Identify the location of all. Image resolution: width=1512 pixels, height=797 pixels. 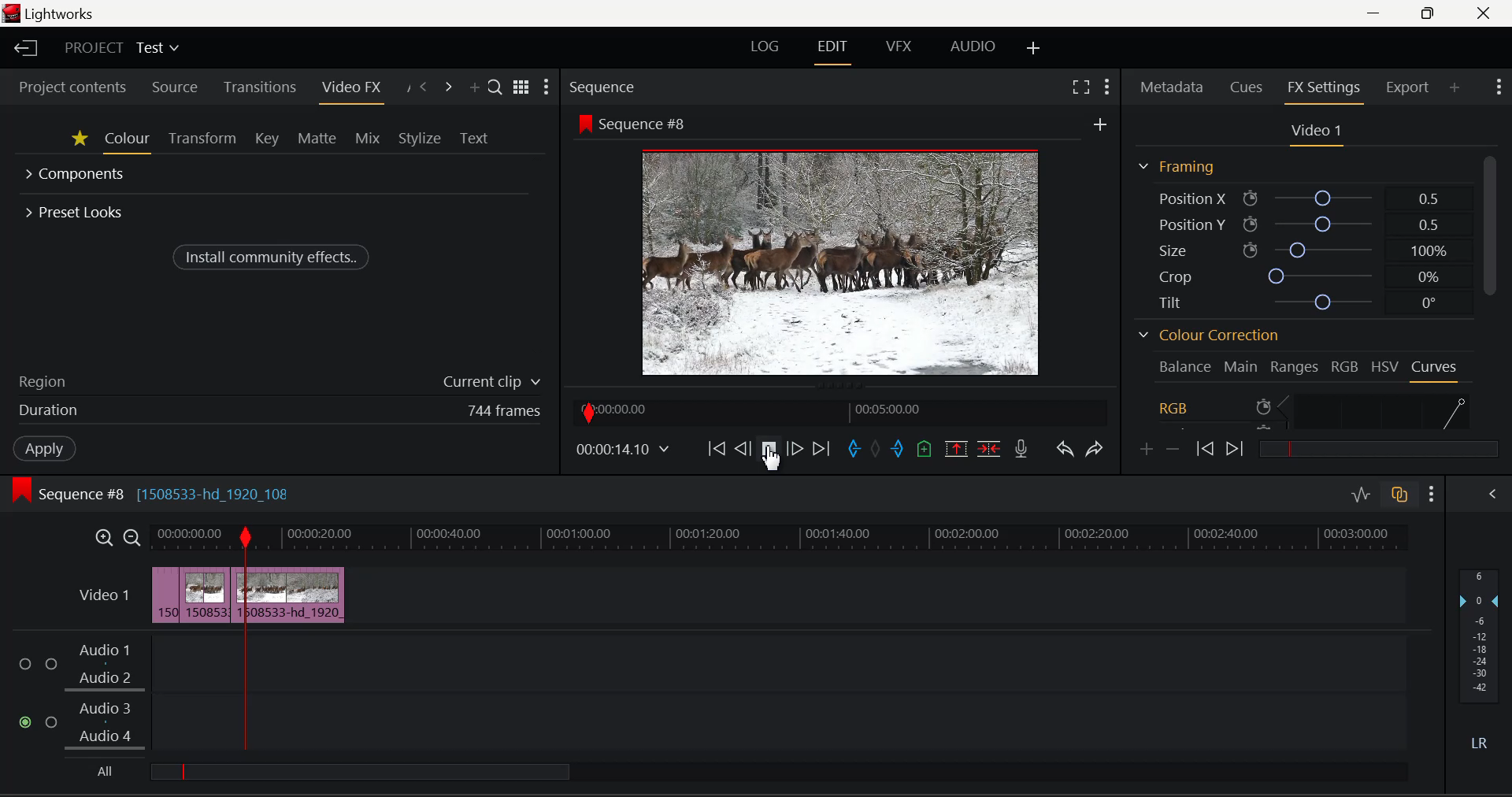
(417, 773).